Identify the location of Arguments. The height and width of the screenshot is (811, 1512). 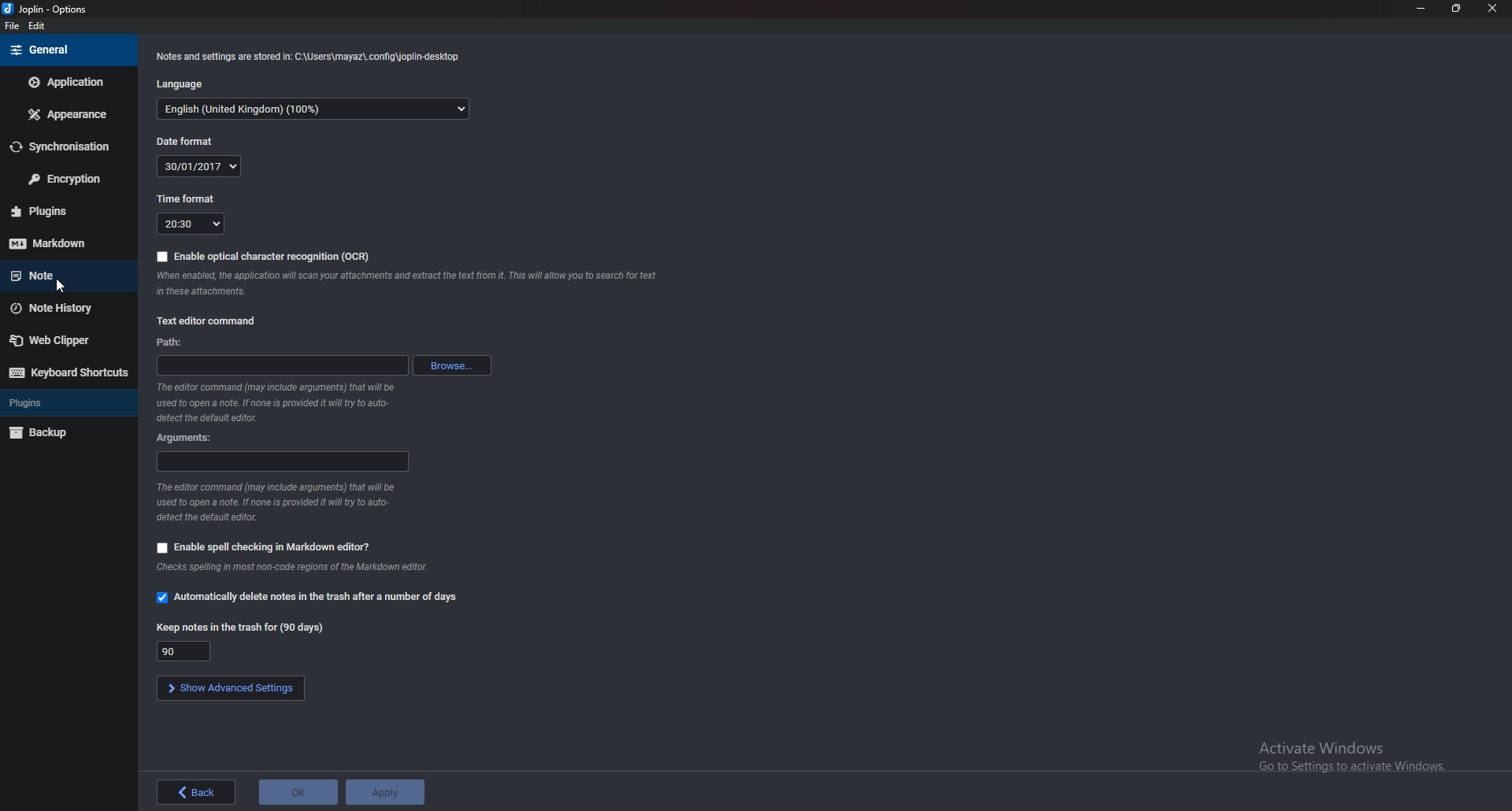
(187, 437).